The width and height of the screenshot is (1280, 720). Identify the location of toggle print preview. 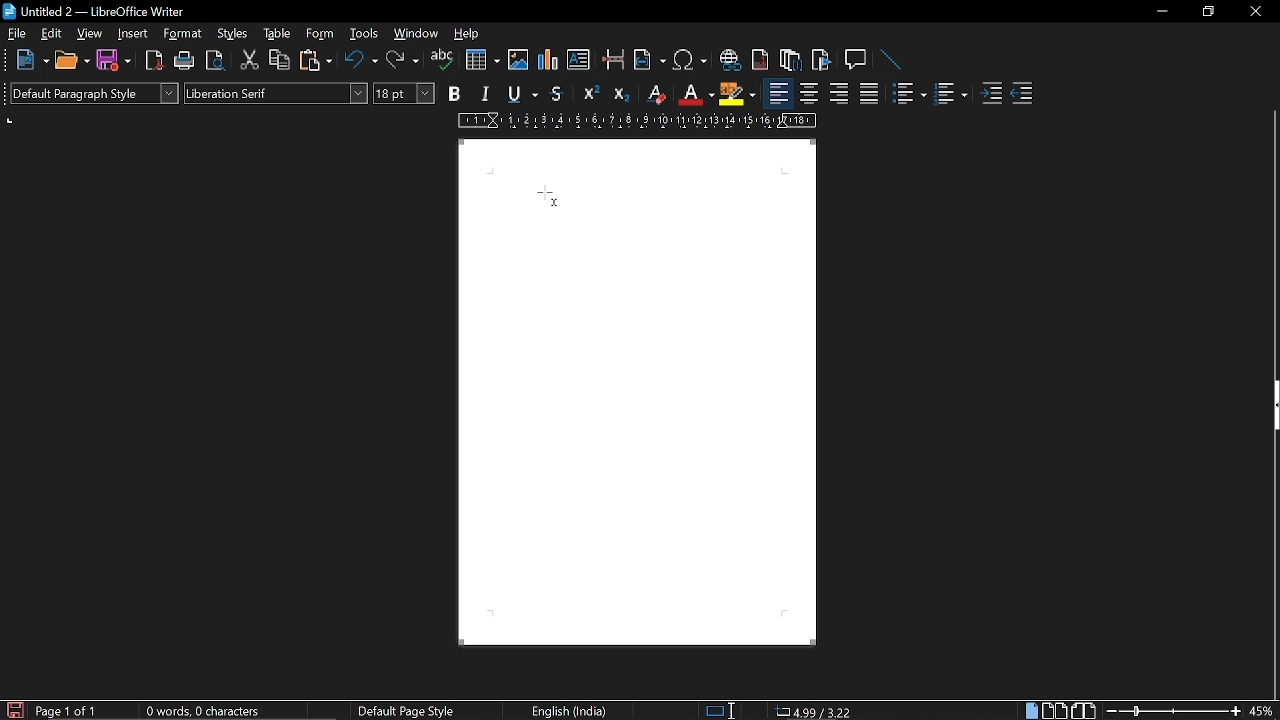
(213, 61).